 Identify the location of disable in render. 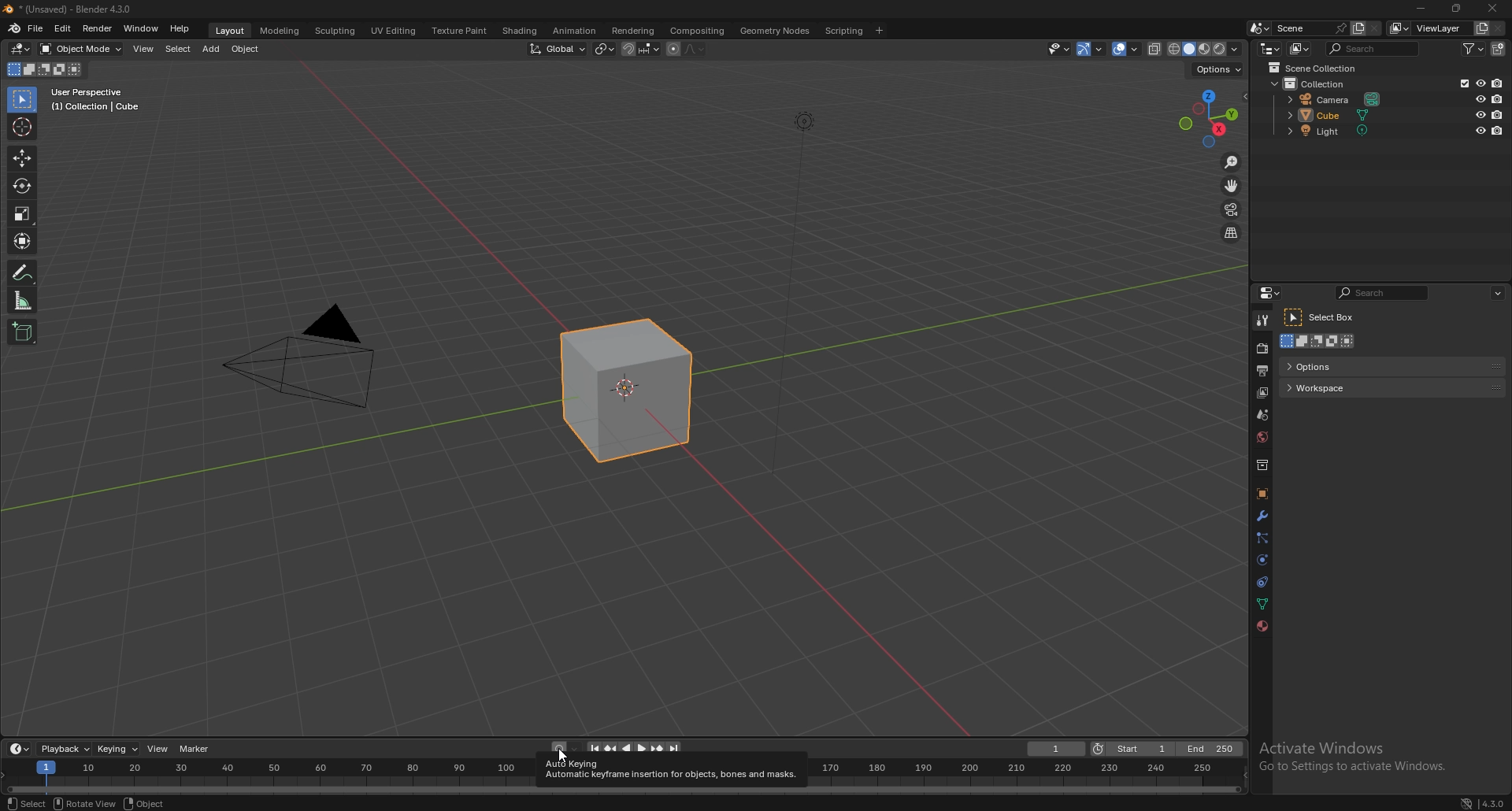
(1499, 130).